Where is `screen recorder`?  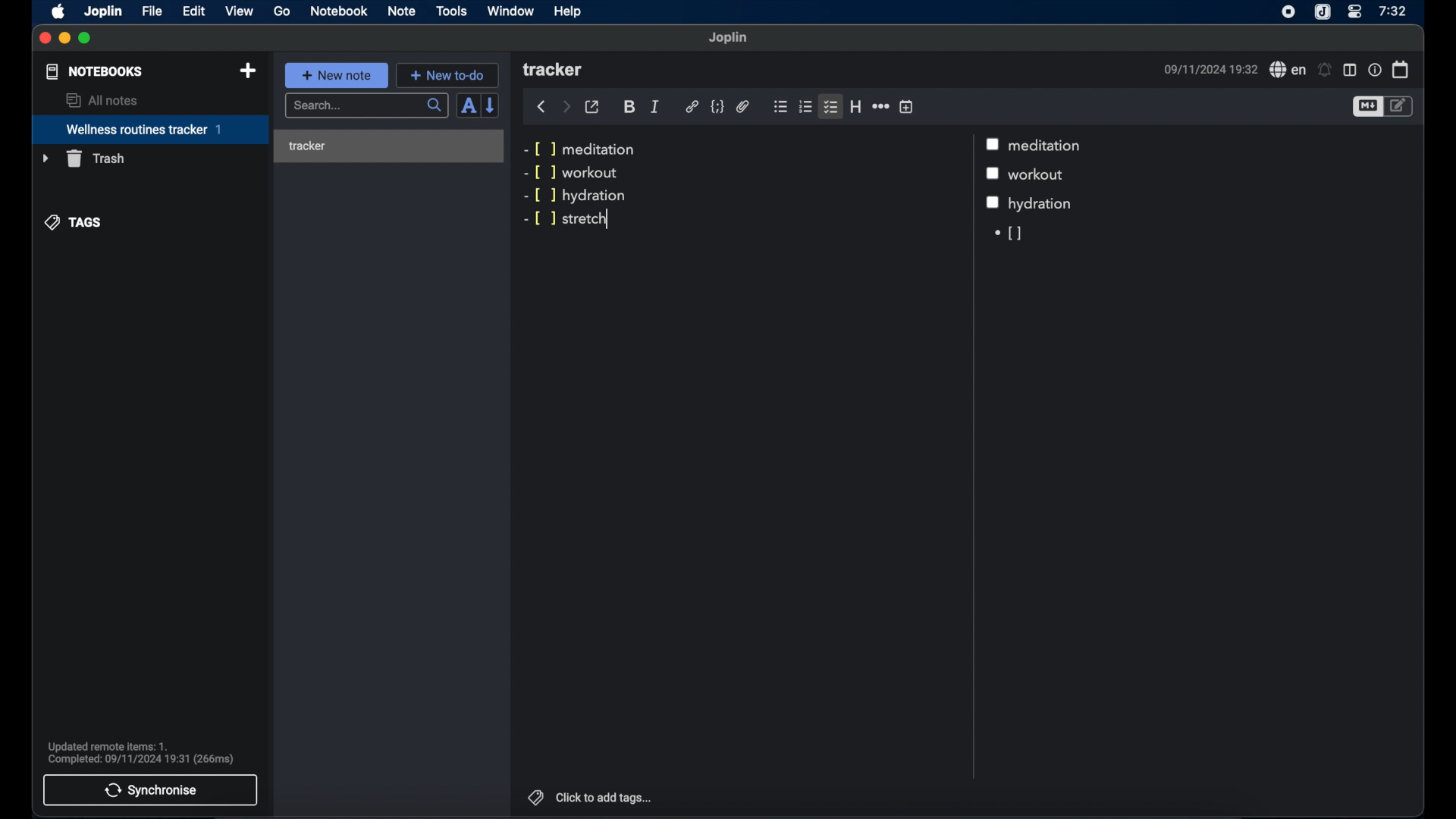
screen recorder is located at coordinates (1288, 11).